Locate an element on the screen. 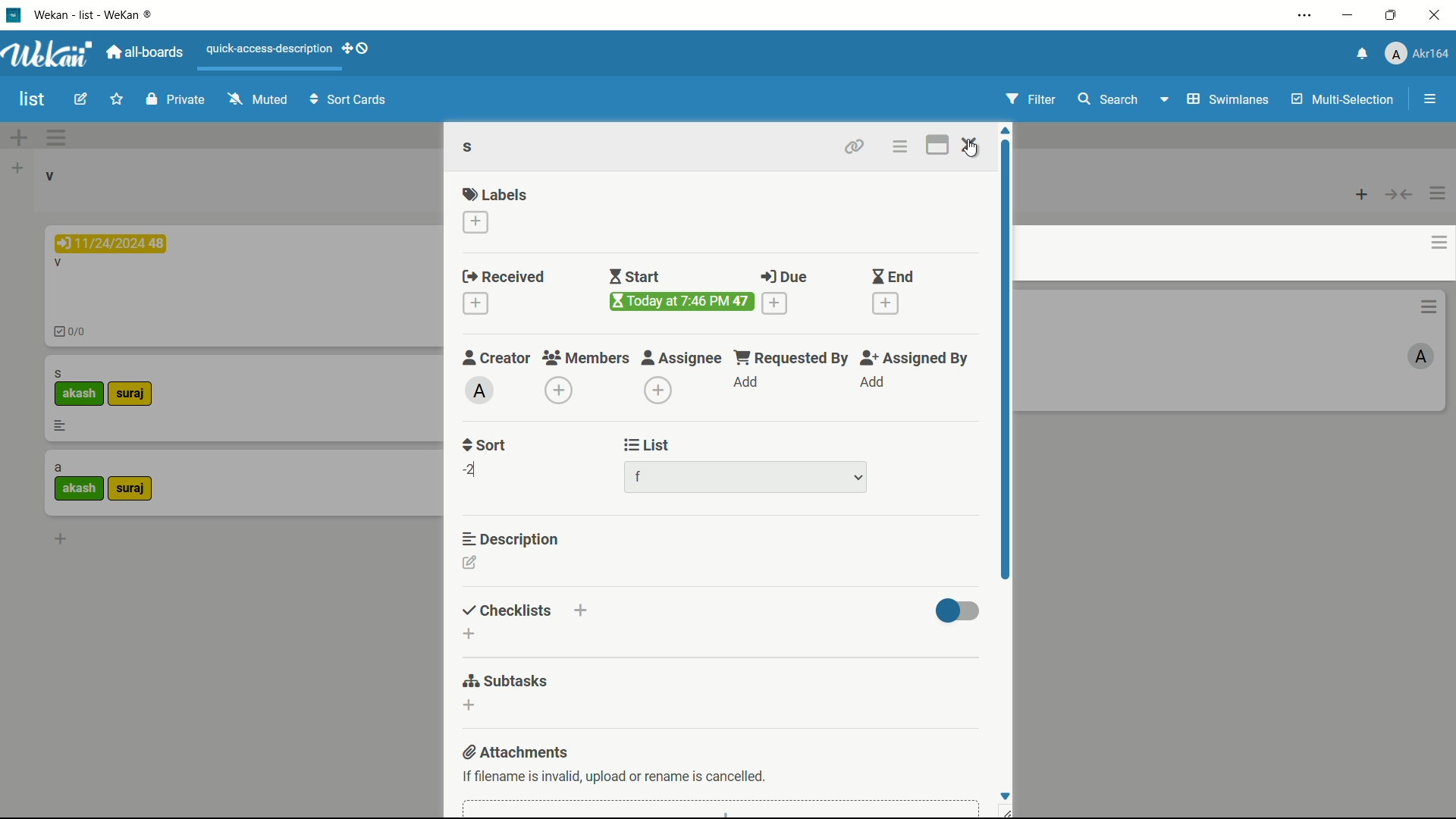 The image size is (1456, 819). star this board is located at coordinates (116, 99).